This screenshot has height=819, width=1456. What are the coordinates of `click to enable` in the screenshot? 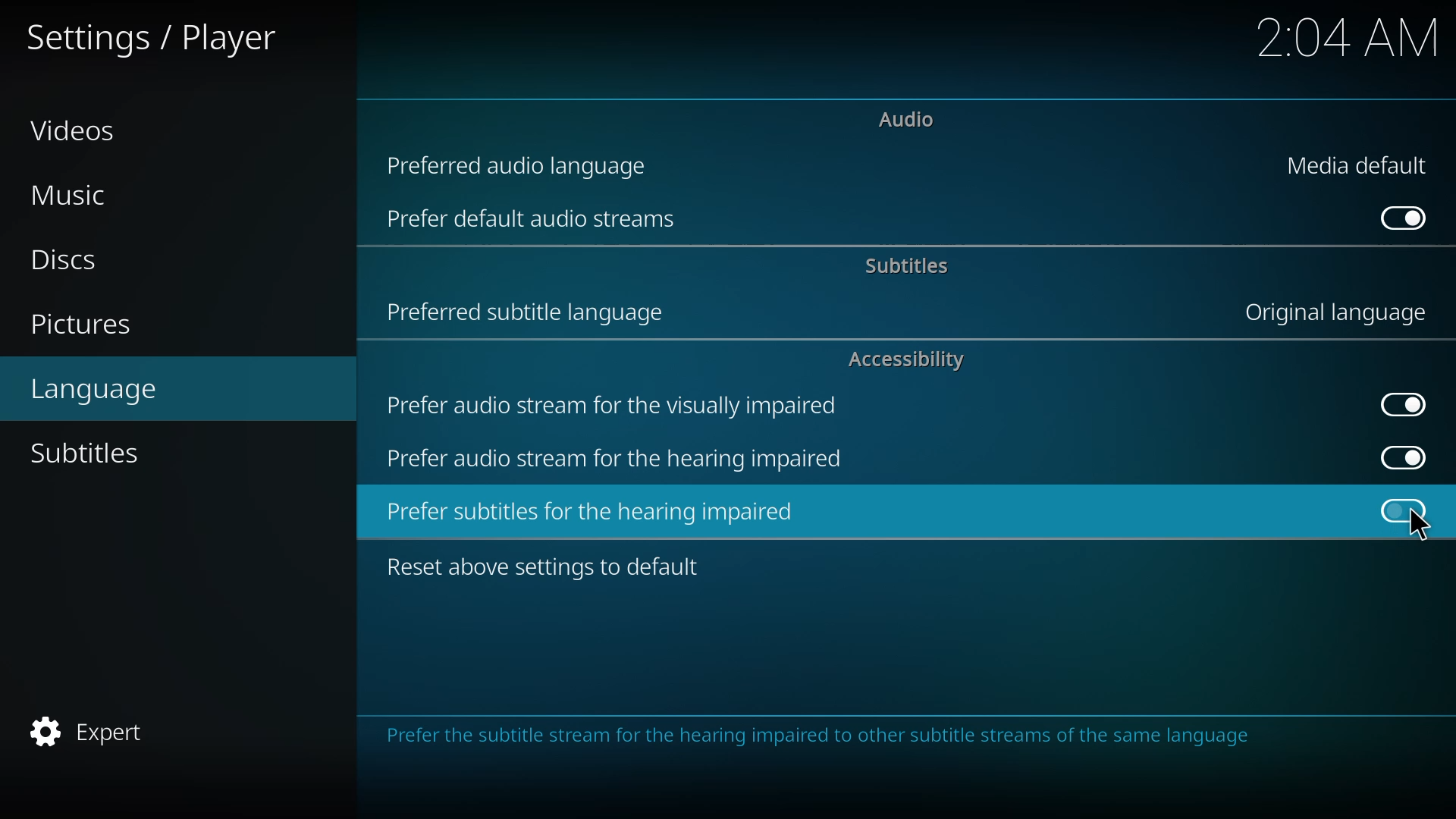 It's located at (1401, 508).